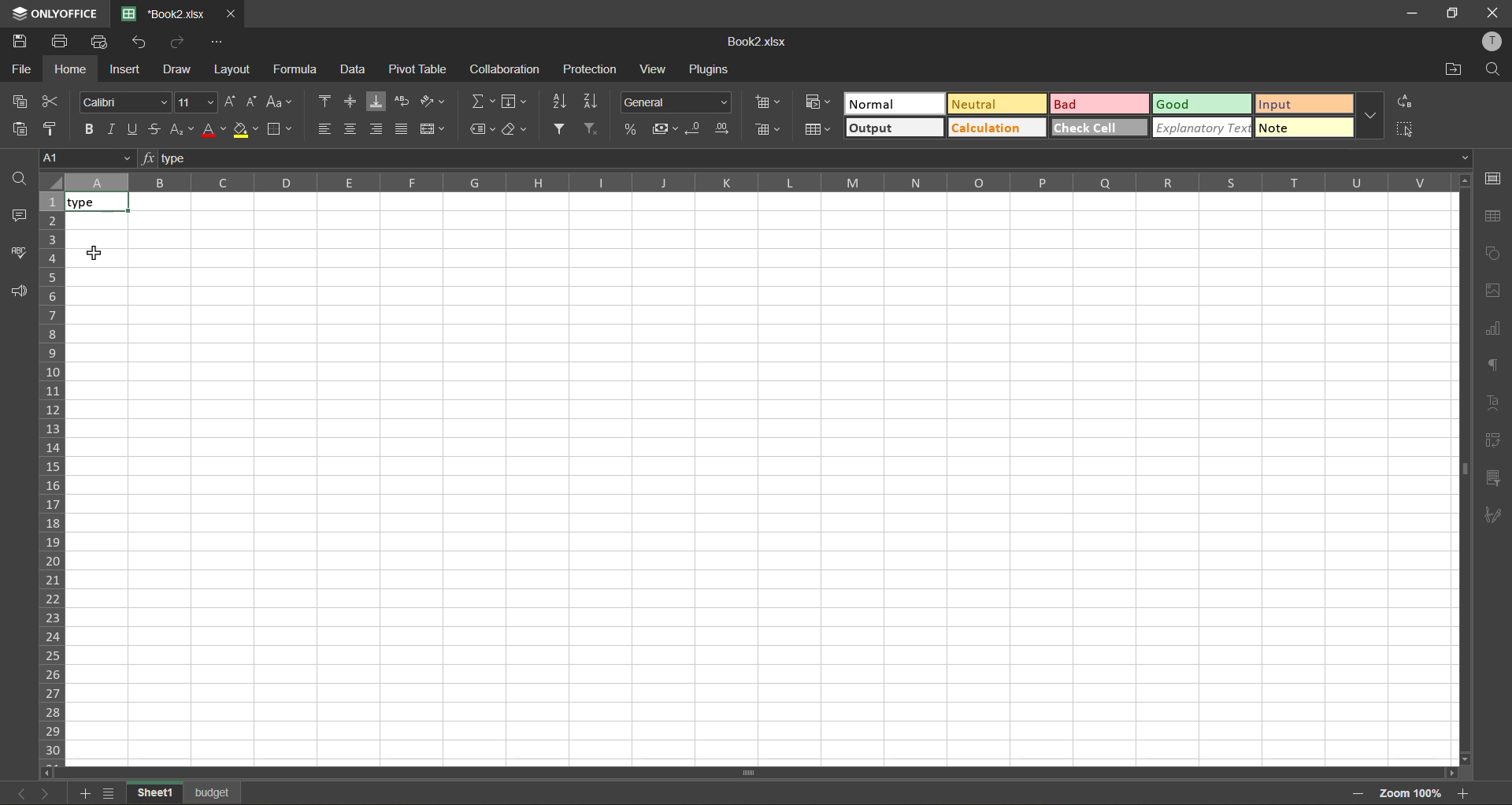  Describe the element at coordinates (1200, 103) in the screenshot. I see `good` at that location.